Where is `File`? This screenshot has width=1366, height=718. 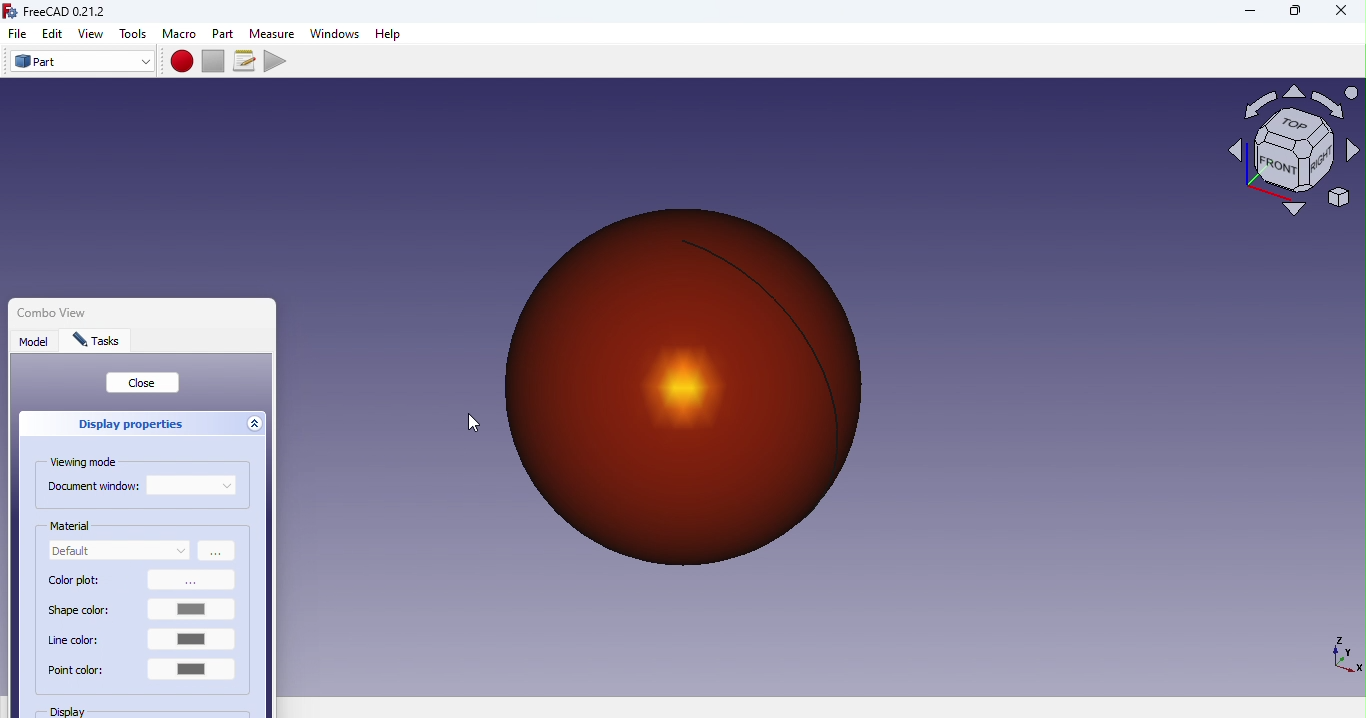
File is located at coordinates (14, 34).